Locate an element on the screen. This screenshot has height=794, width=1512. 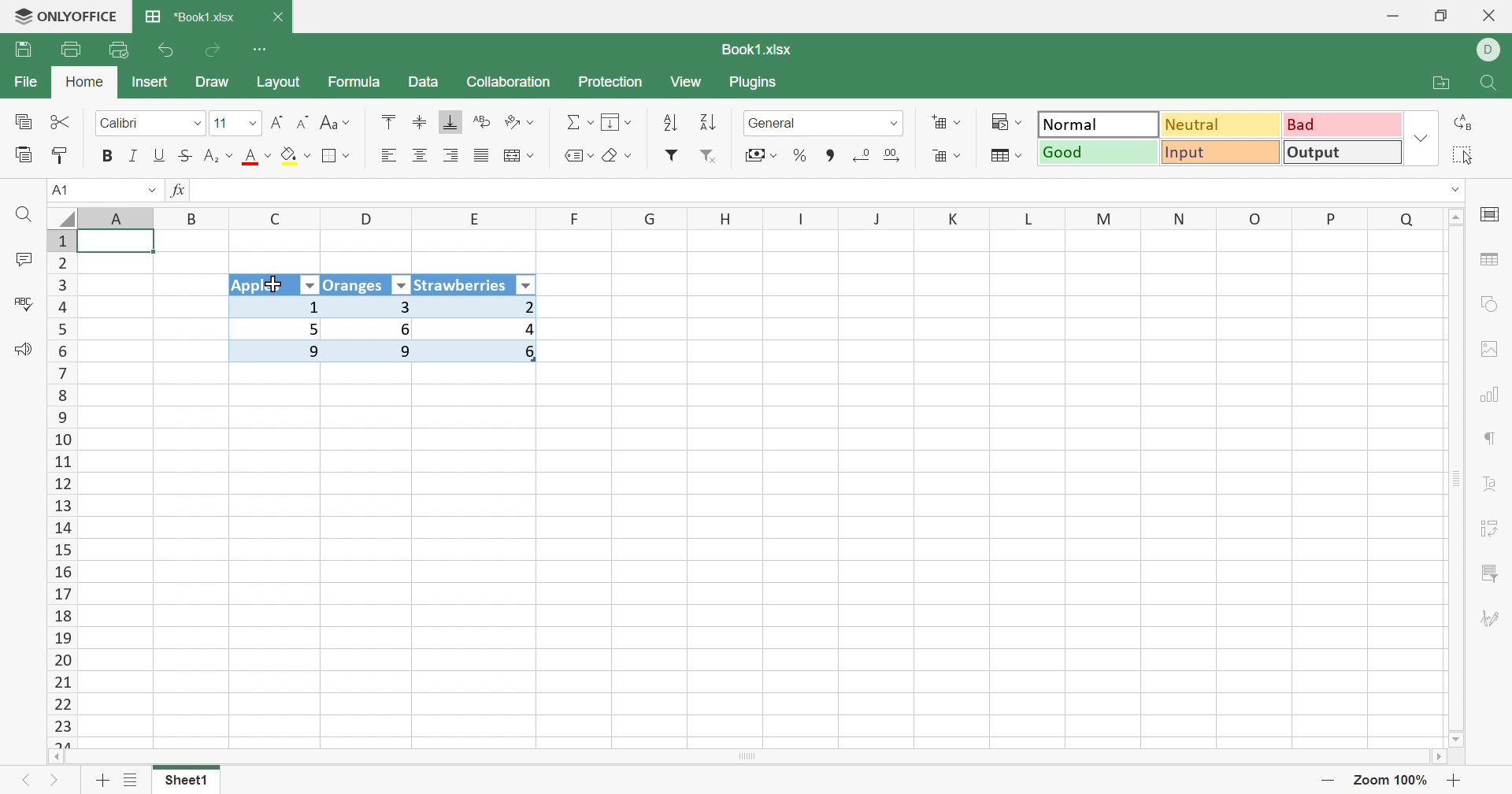
Delete cells is located at coordinates (944, 158).